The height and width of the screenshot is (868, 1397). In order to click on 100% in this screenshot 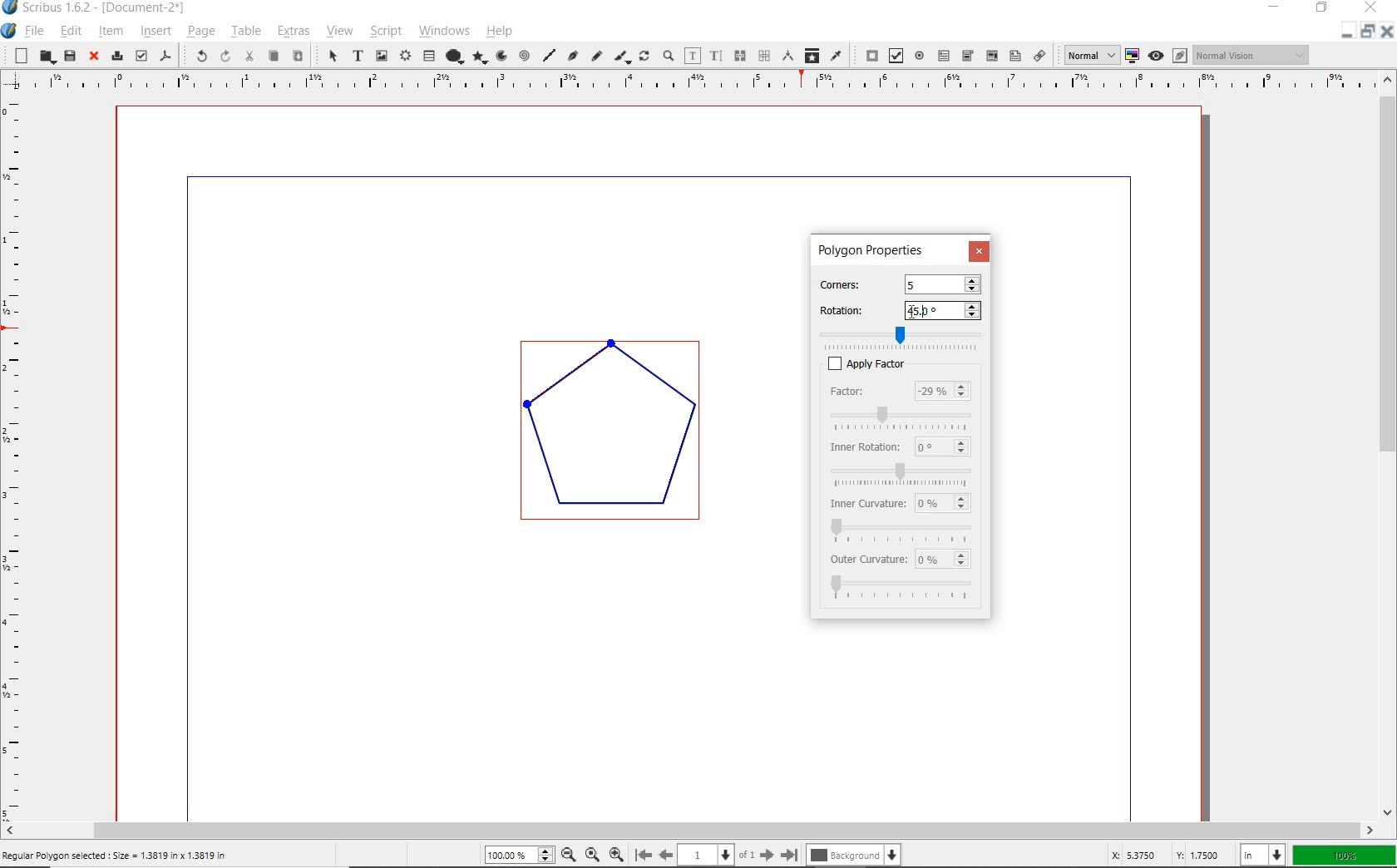, I will do `click(521, 854)`.